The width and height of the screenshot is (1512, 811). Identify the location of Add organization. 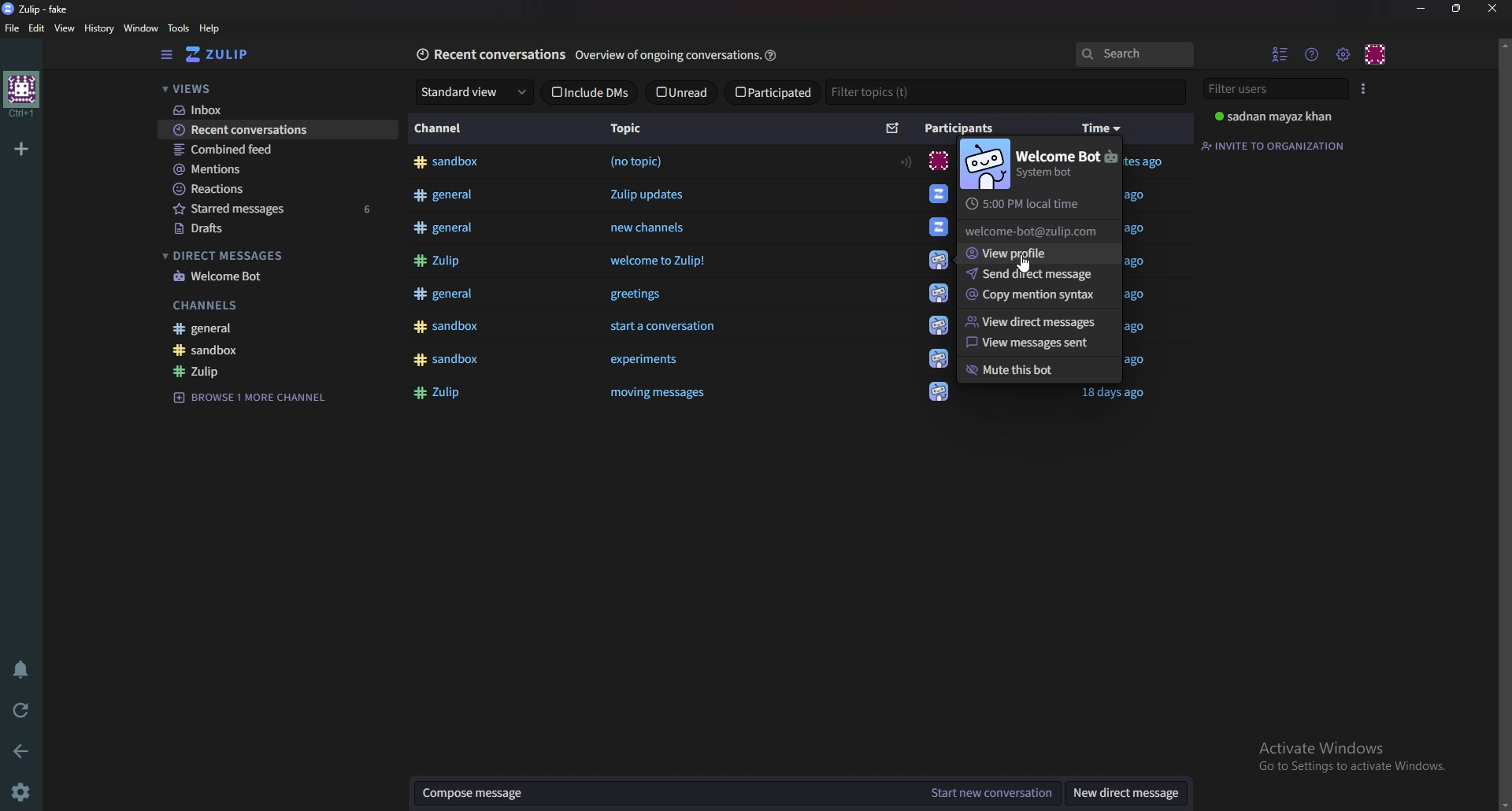
(21, 149).